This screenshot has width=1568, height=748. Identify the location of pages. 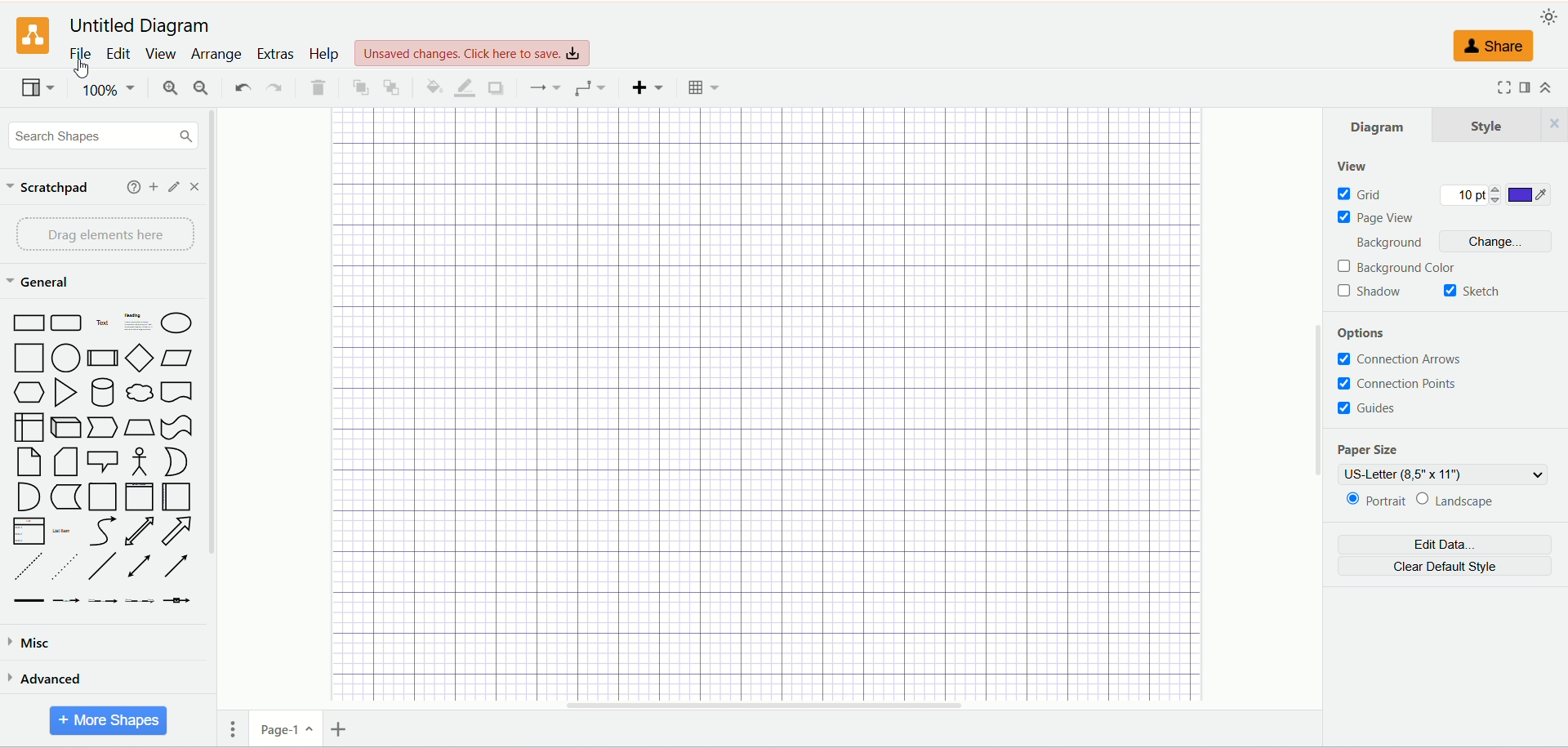
(234, 728).